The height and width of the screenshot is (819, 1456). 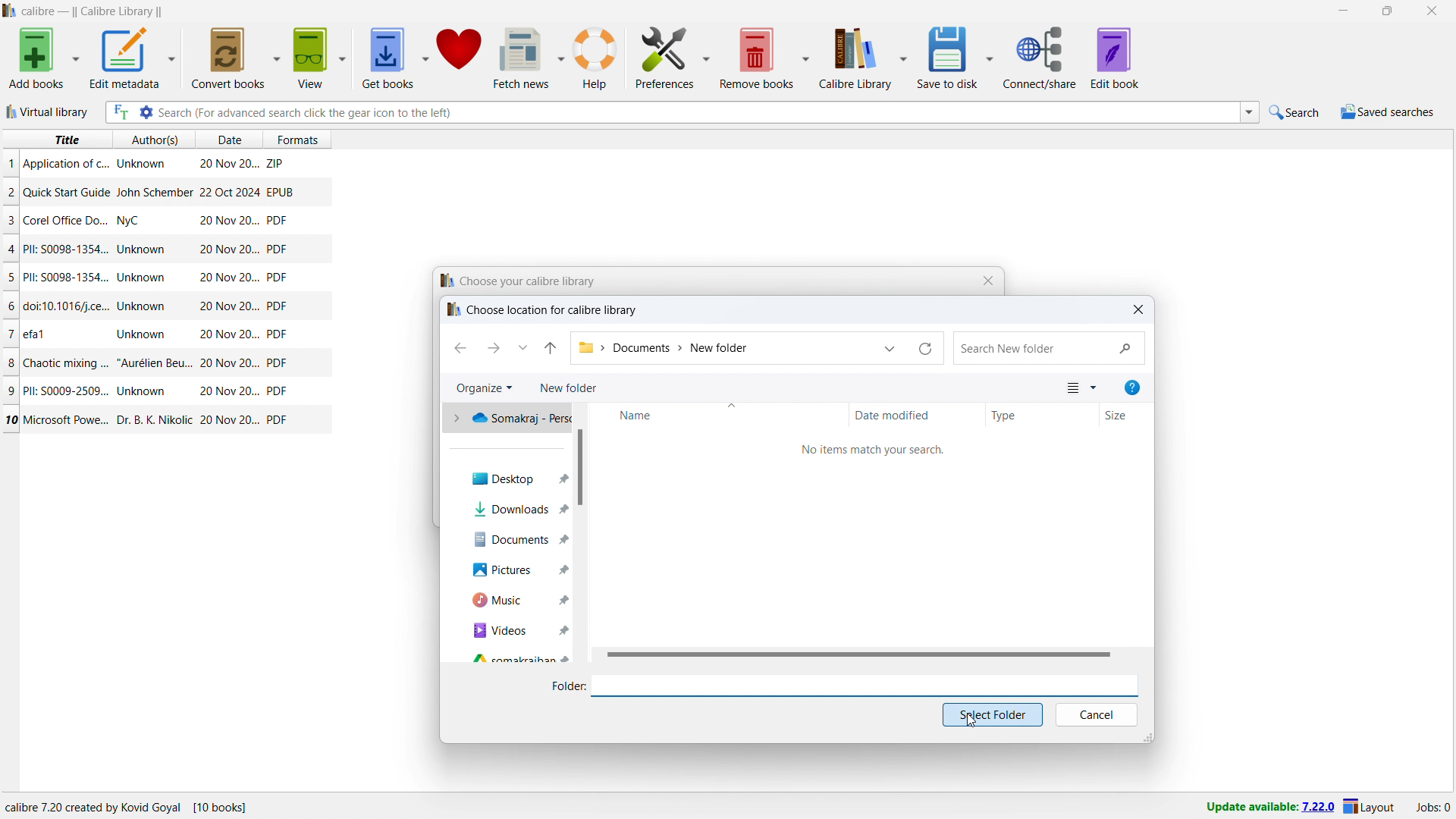 I want to click on view, so click(x=1082, y=387).